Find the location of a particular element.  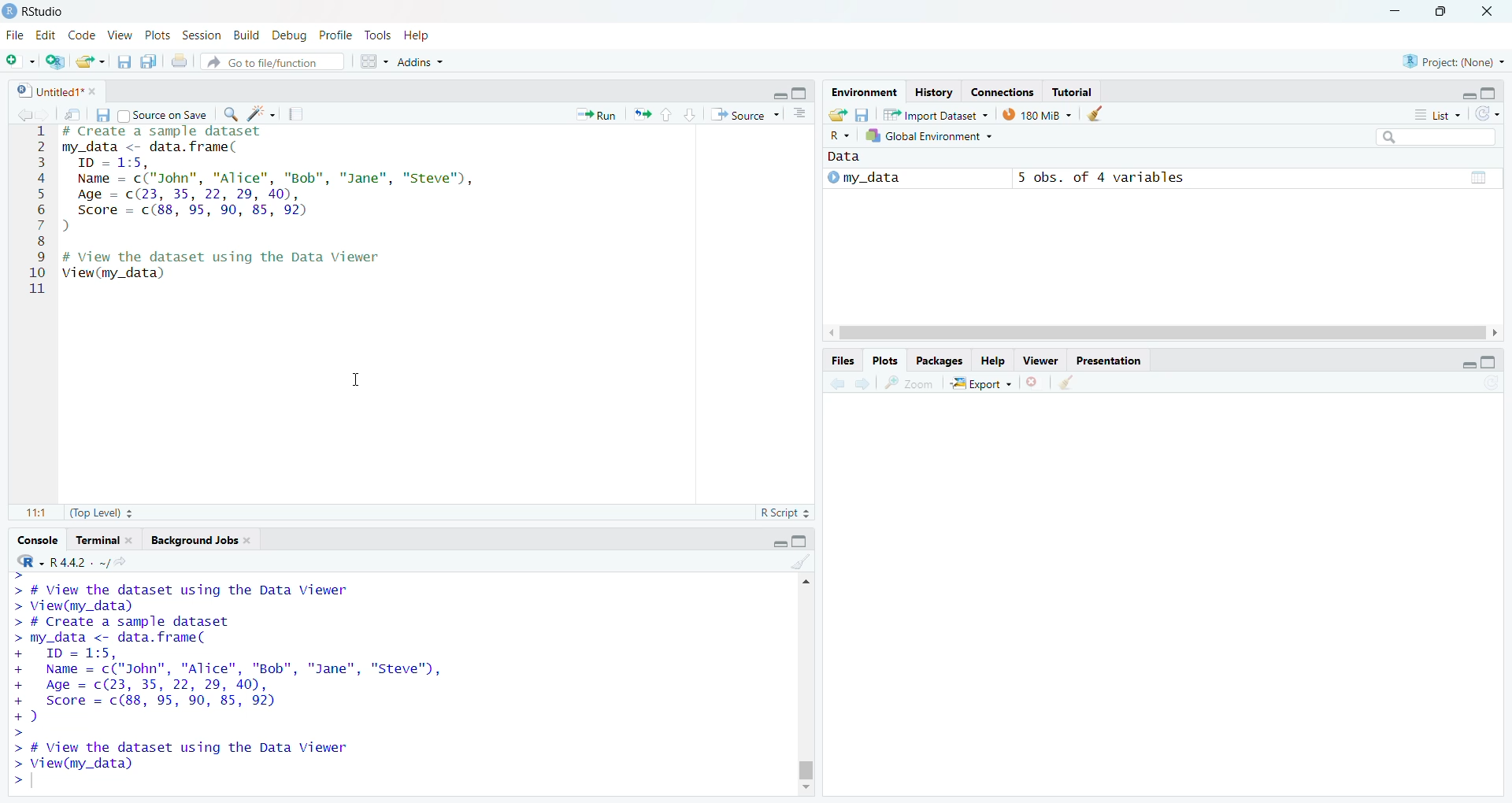

Pages is located at coordinates (797, 113).